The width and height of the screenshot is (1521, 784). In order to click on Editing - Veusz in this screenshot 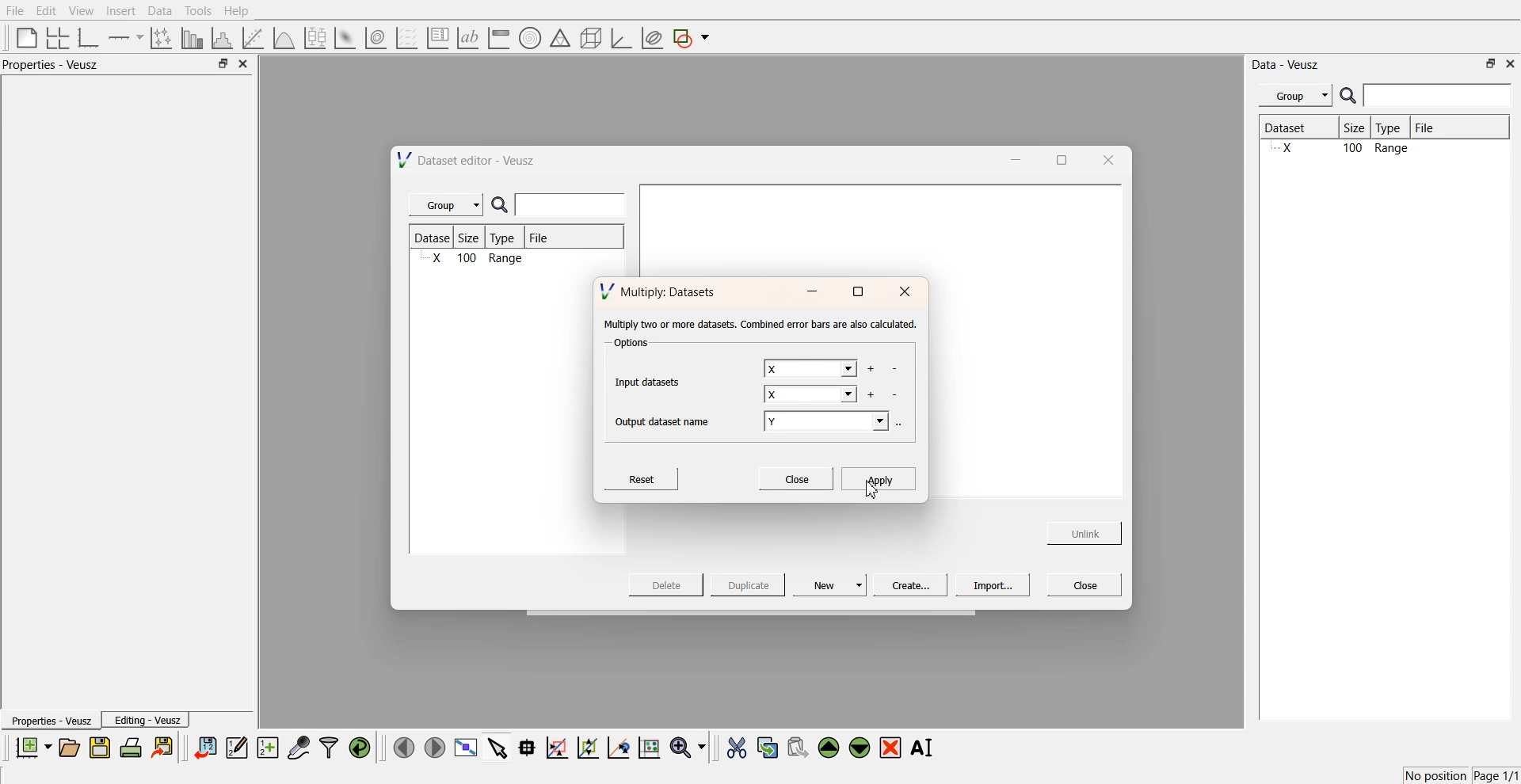, I will do `click(147, 720)`.